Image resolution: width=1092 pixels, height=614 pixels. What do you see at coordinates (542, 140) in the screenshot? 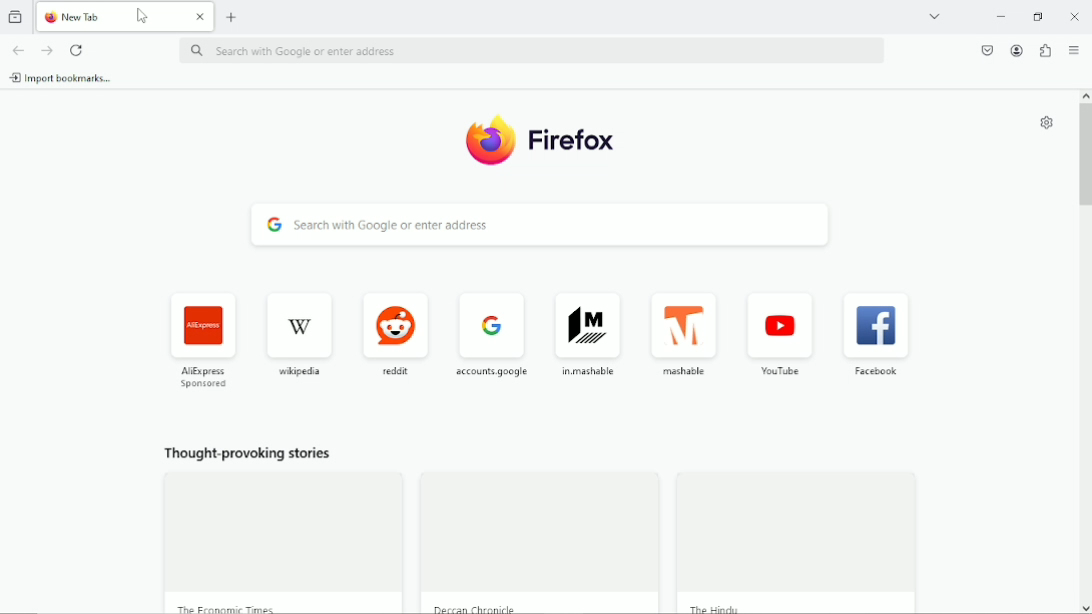
I see `Firefox` at bounding box center [542, 140].